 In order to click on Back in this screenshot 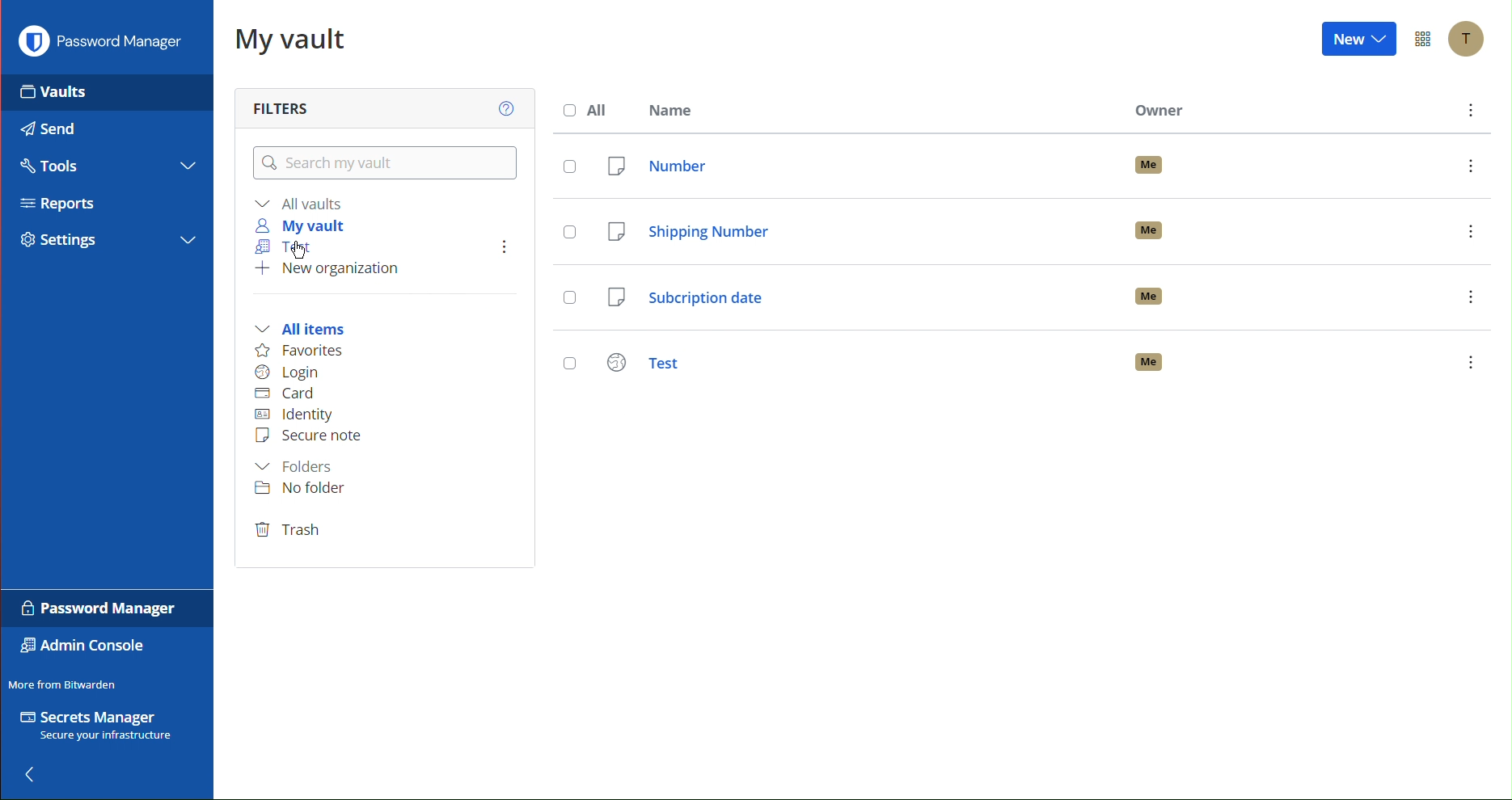, I will do `click(37, 770)`.